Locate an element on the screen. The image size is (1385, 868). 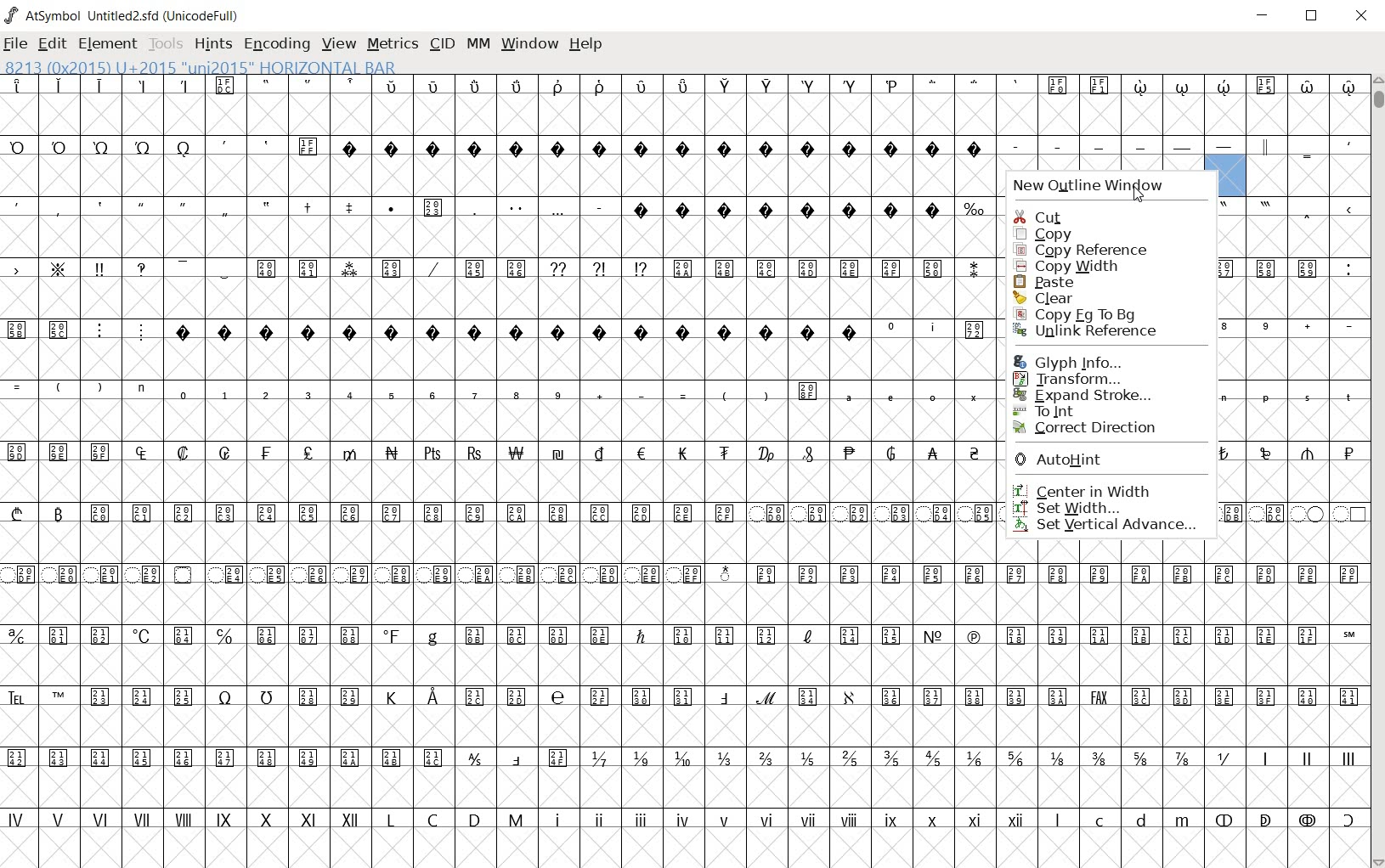
copy is located at coordinates (1086, 235).